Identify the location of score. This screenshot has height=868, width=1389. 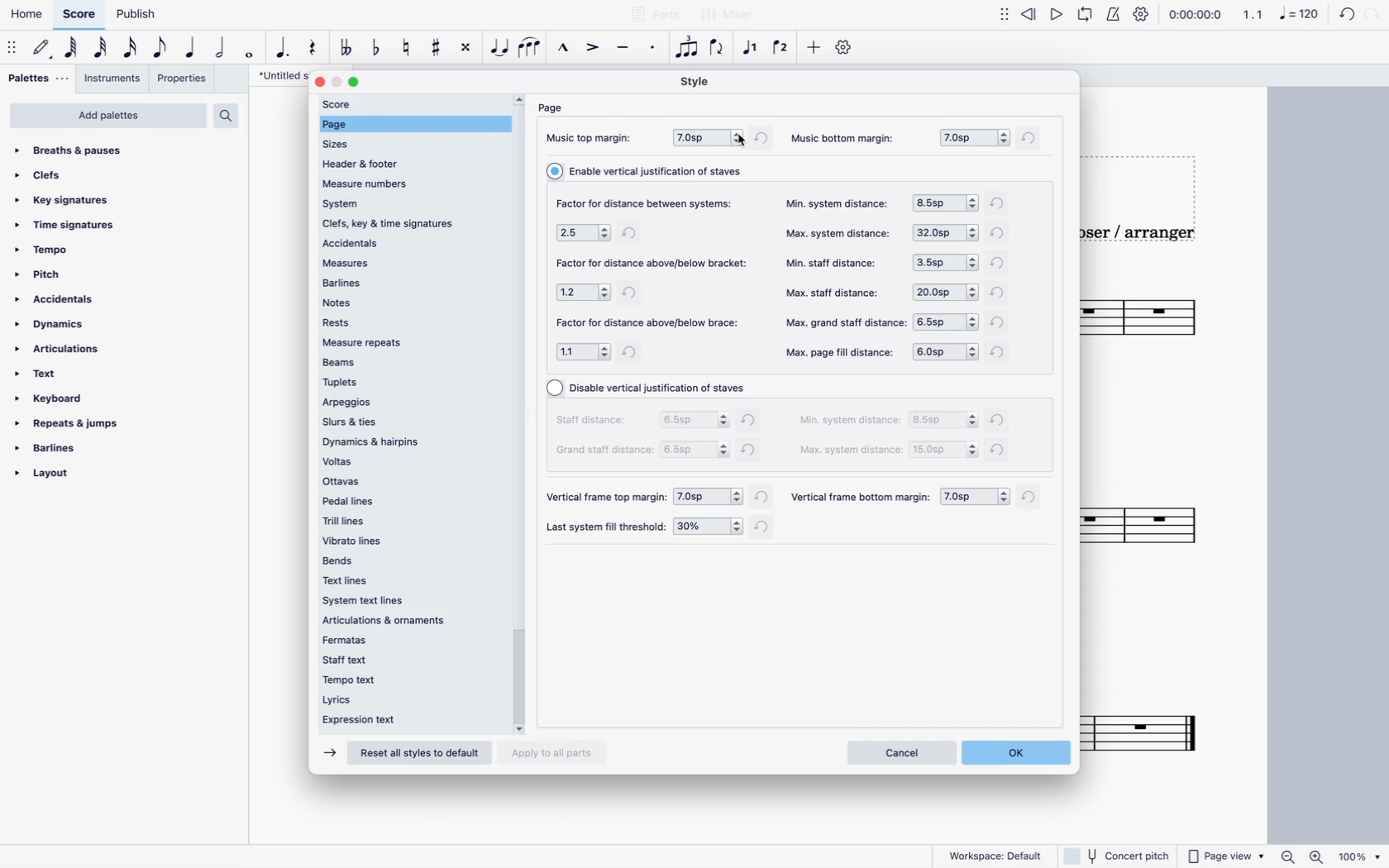
(1152, 726).